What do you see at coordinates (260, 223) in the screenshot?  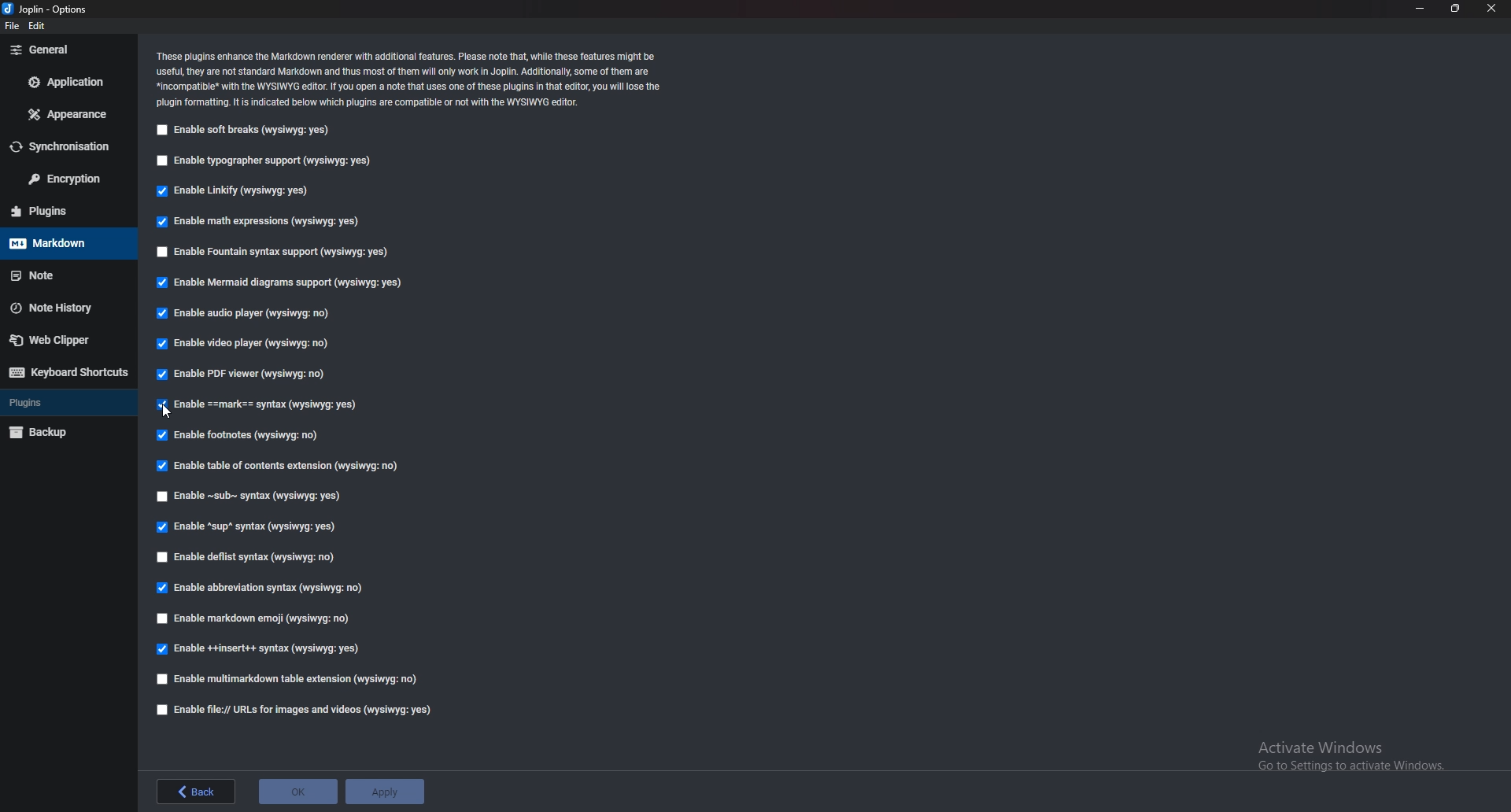 I see `Enable math expressions` at bounding box center [260, 223].